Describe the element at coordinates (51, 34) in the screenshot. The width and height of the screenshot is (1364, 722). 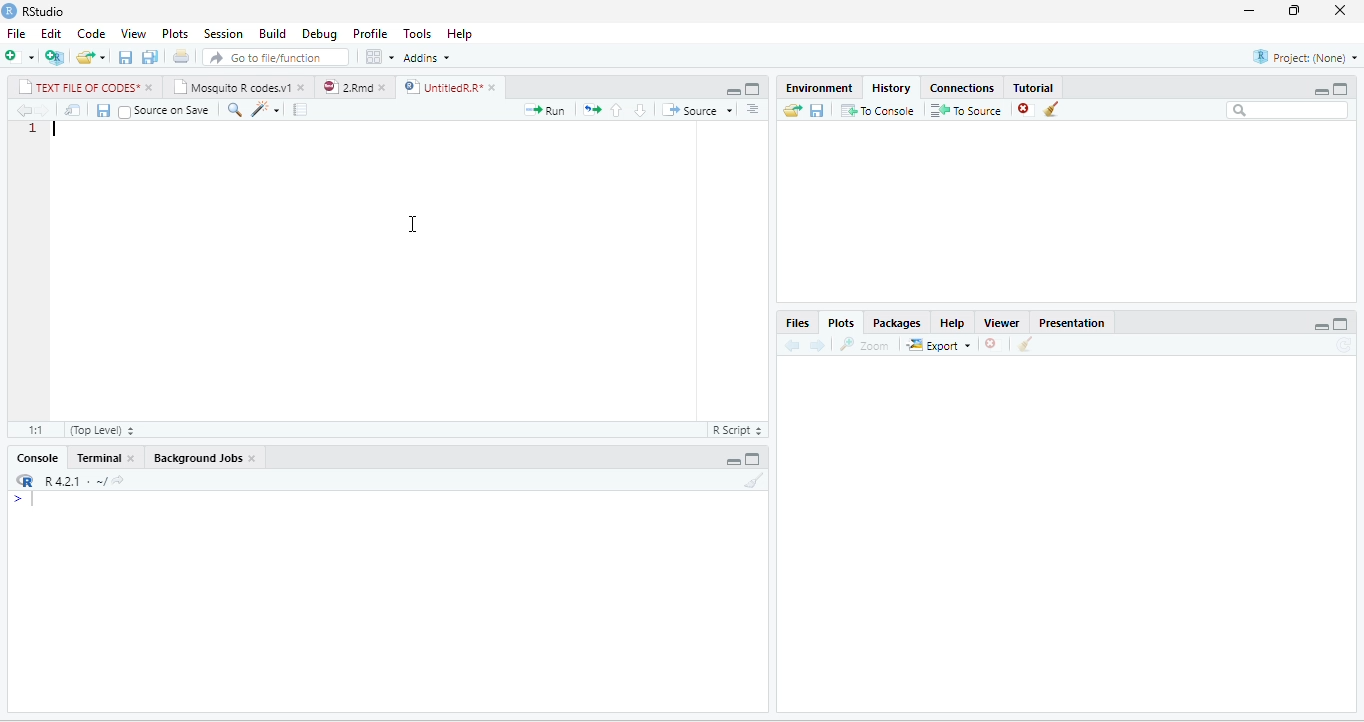
I see `Edit` at that location.